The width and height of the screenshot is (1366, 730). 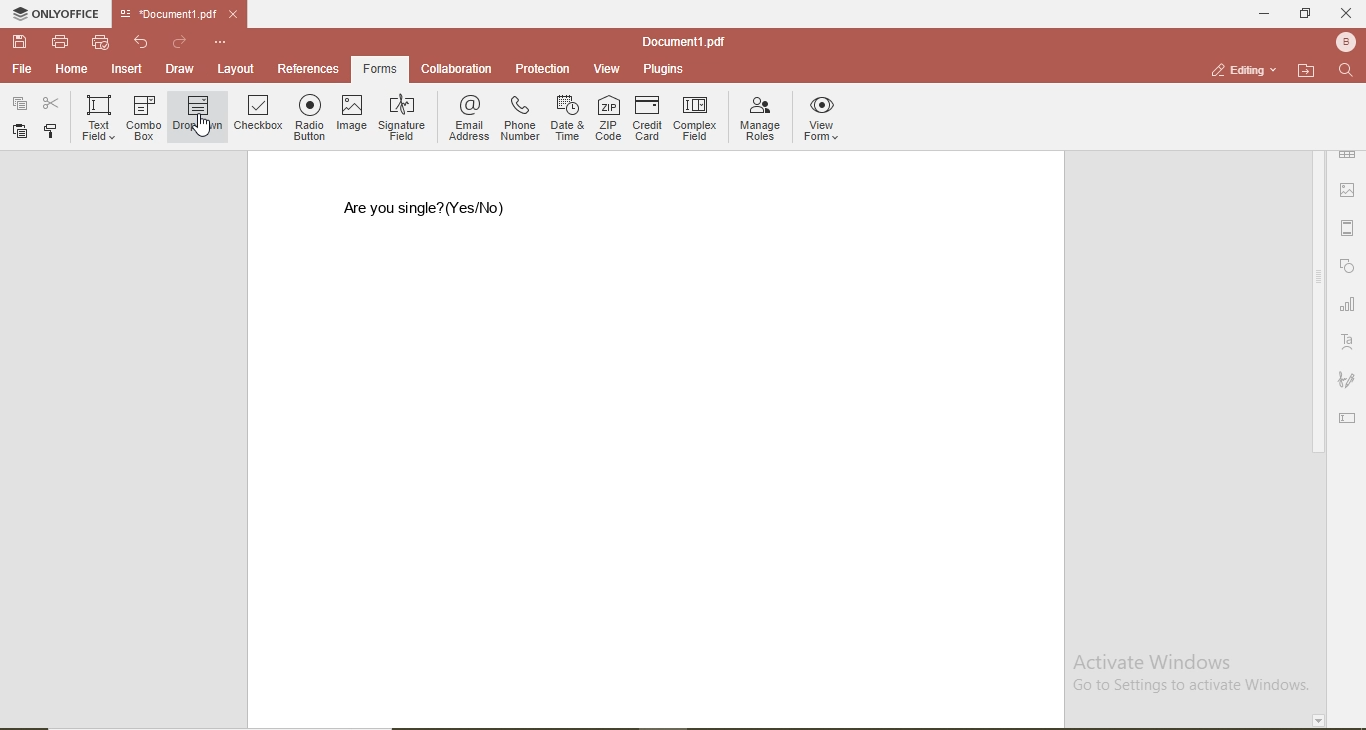 I want to click on view forms, so click(x=823, y=120).